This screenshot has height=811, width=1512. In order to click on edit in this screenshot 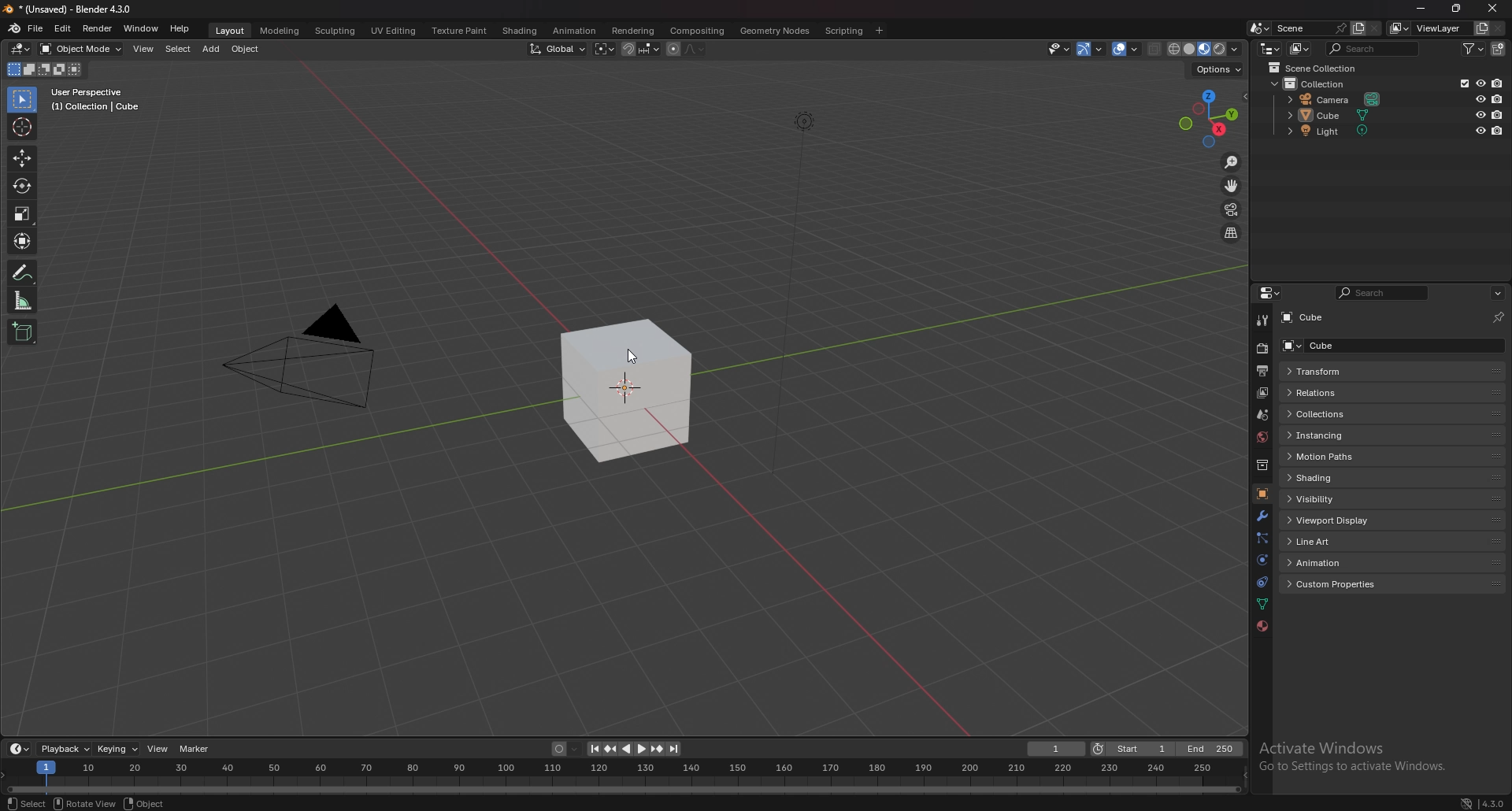, I will do `click(62, 29)`.